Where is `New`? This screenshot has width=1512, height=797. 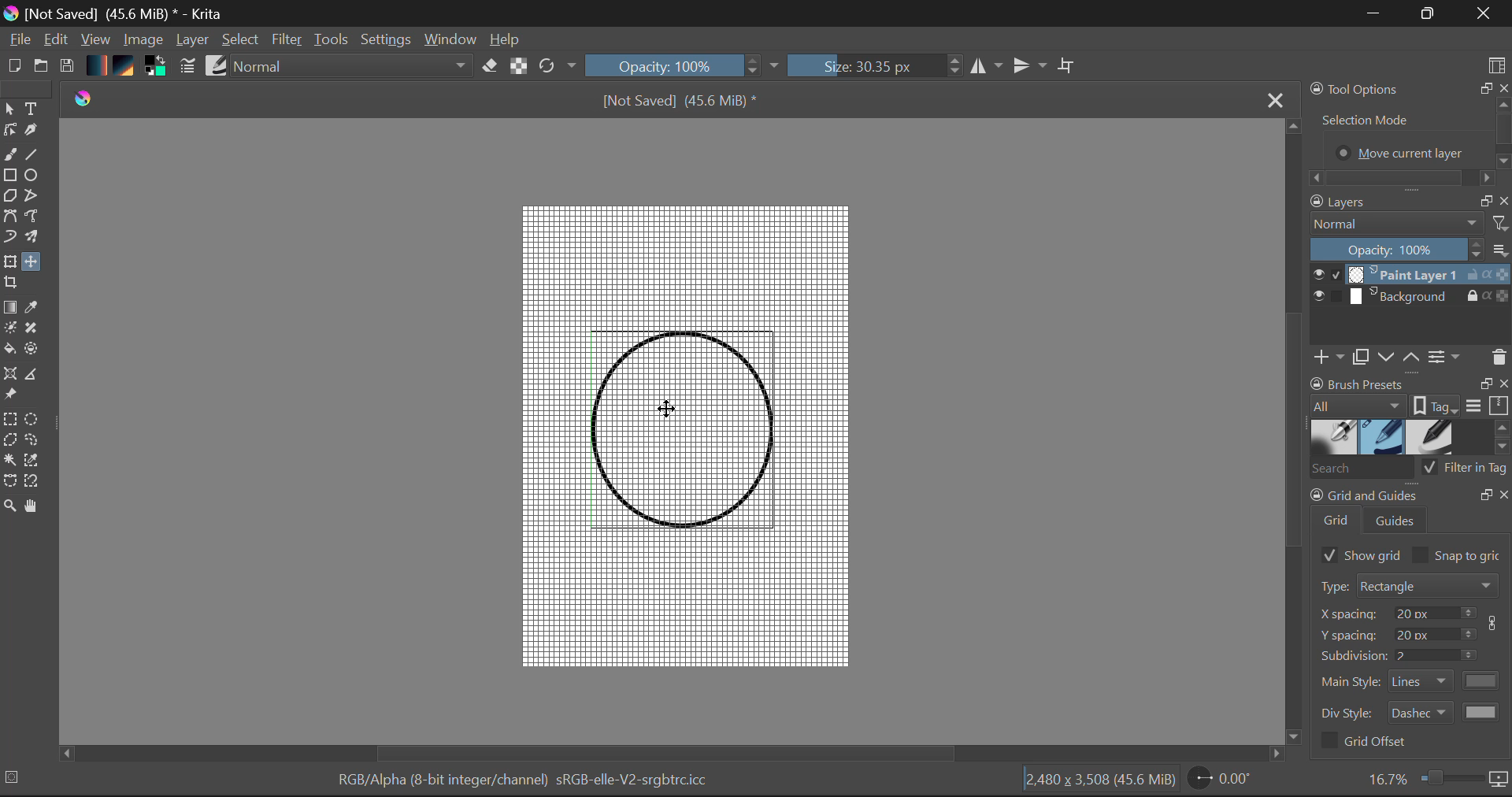 New is located at coordinates (11, 67).